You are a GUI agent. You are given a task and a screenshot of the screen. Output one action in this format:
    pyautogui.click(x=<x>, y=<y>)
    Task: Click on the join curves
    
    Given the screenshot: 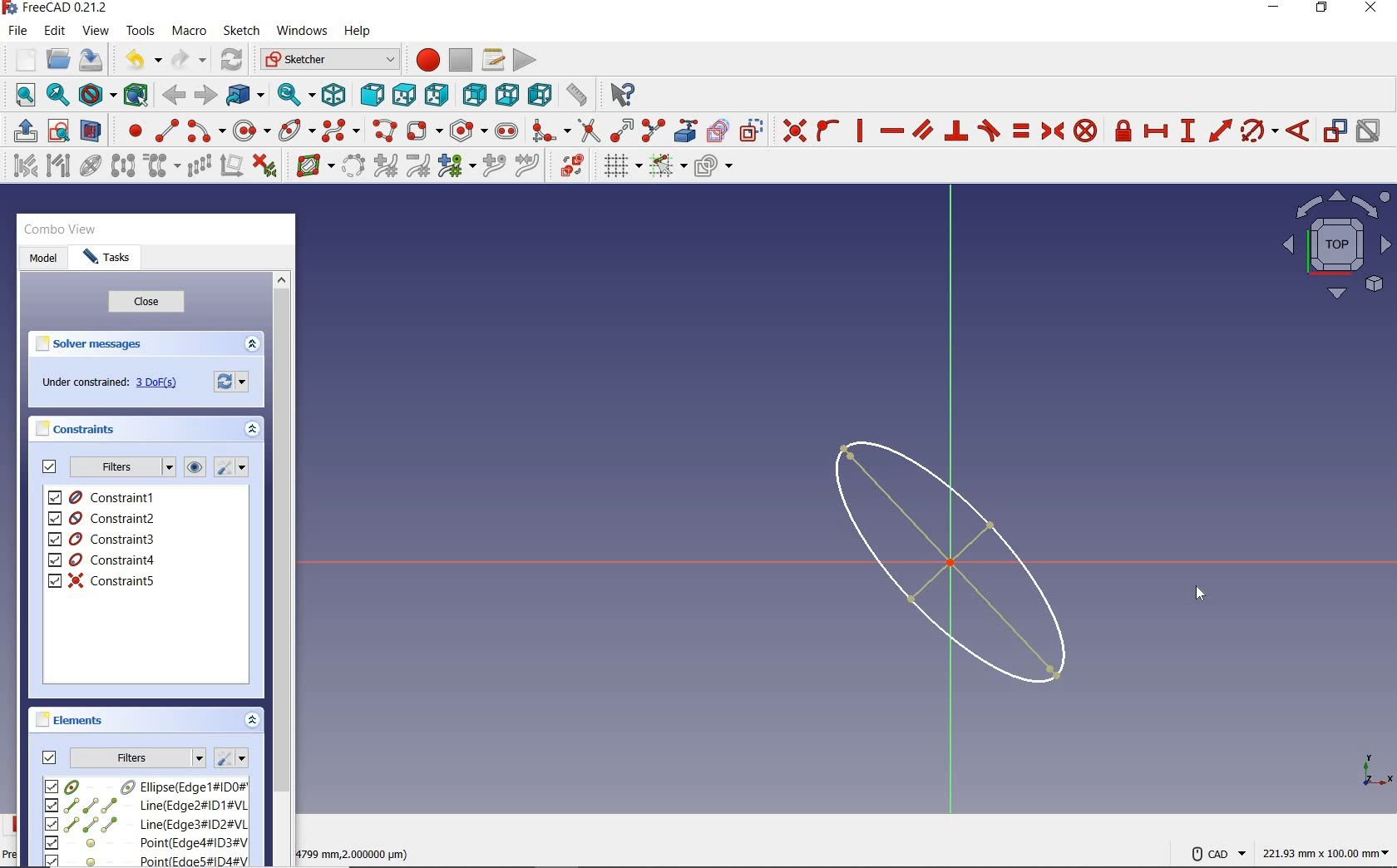 What is the action you would take?
    pyautogui.click(x=528, y=166)
    